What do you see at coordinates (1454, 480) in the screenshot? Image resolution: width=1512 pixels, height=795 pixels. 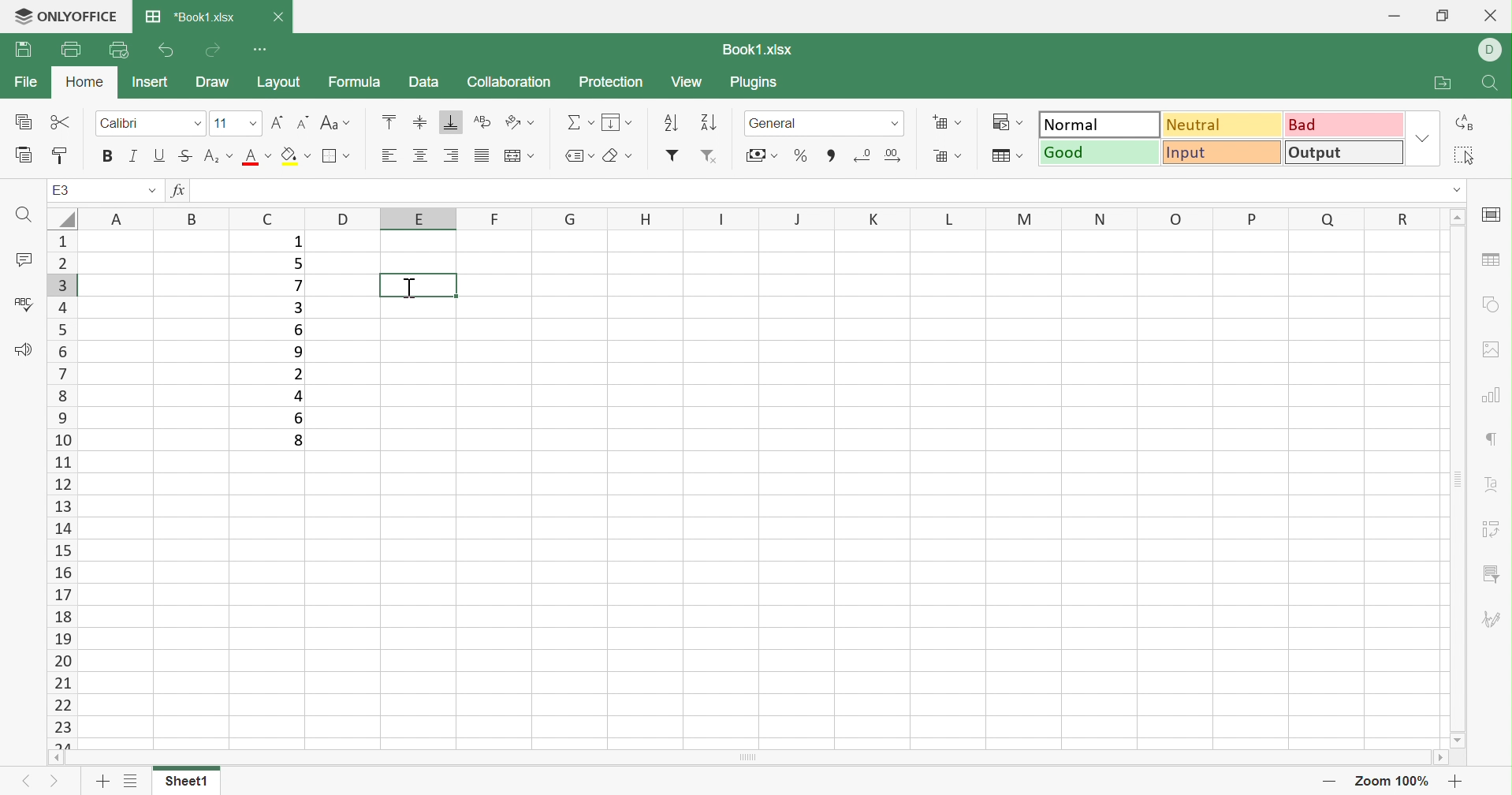 I see `Scroll Bar` at bounding box center [1454, 480].